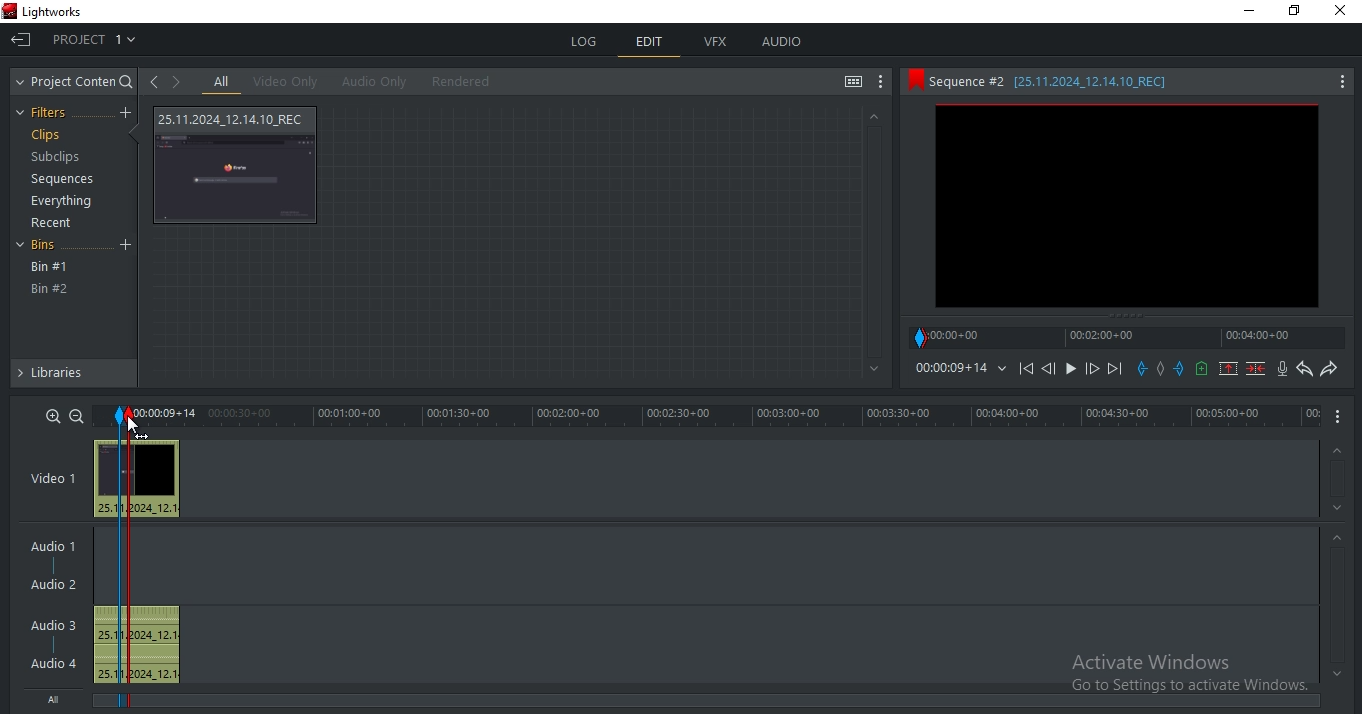 The image size is (1362, 714). What do you see at coordinates (61, 585) in the screenshot?
I see `Audio 2` at bounding box center [61, 585].